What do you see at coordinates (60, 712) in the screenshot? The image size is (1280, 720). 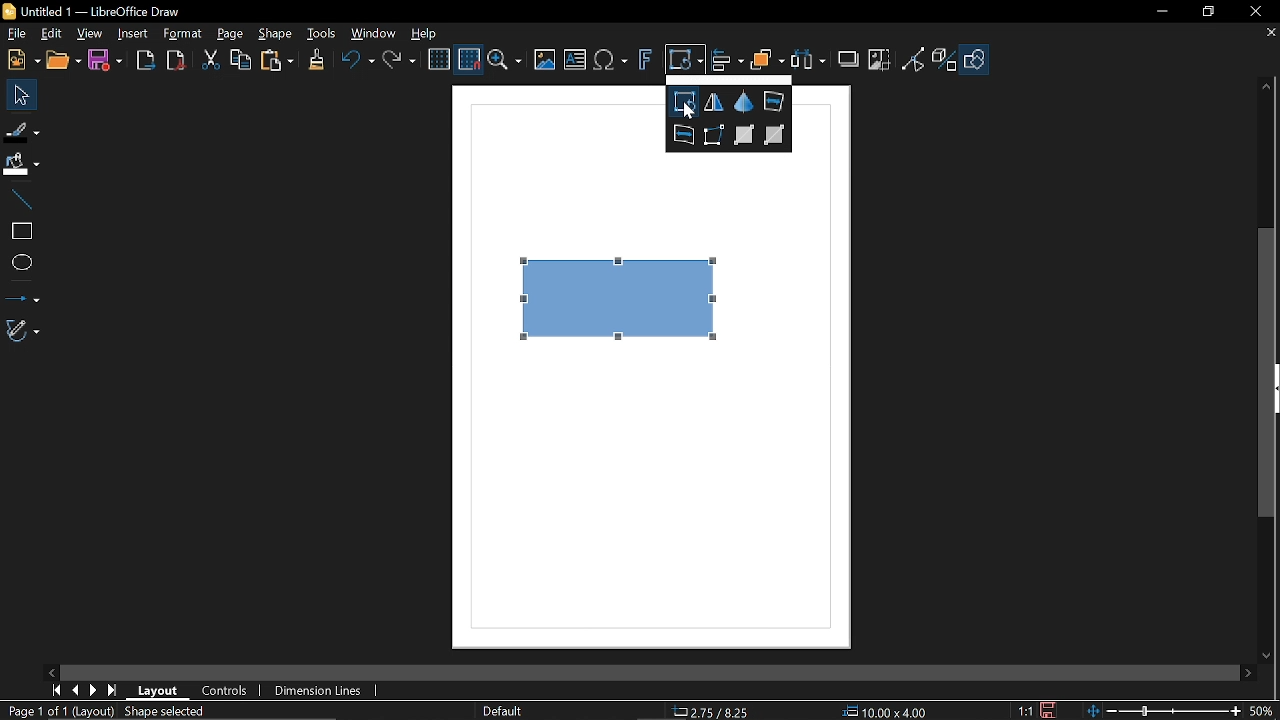 I see `Page 1 of 1 (Layout)` at bounding box center [60, 712].